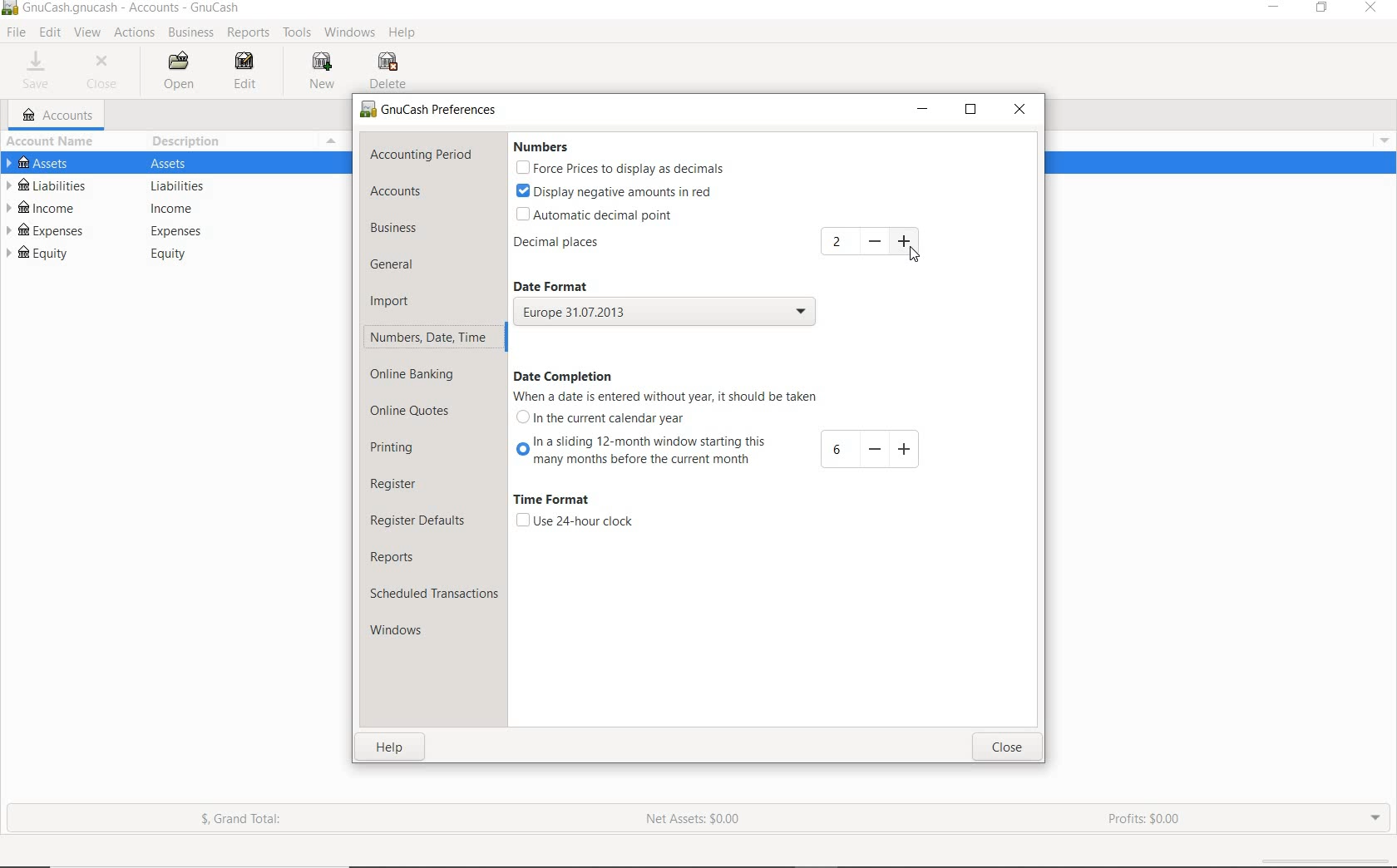 This screenshot has width=1397, height=868. What do you see at coordinates (398, 267) in the screenshot?
I see `general` at bounding box center [398, 267].